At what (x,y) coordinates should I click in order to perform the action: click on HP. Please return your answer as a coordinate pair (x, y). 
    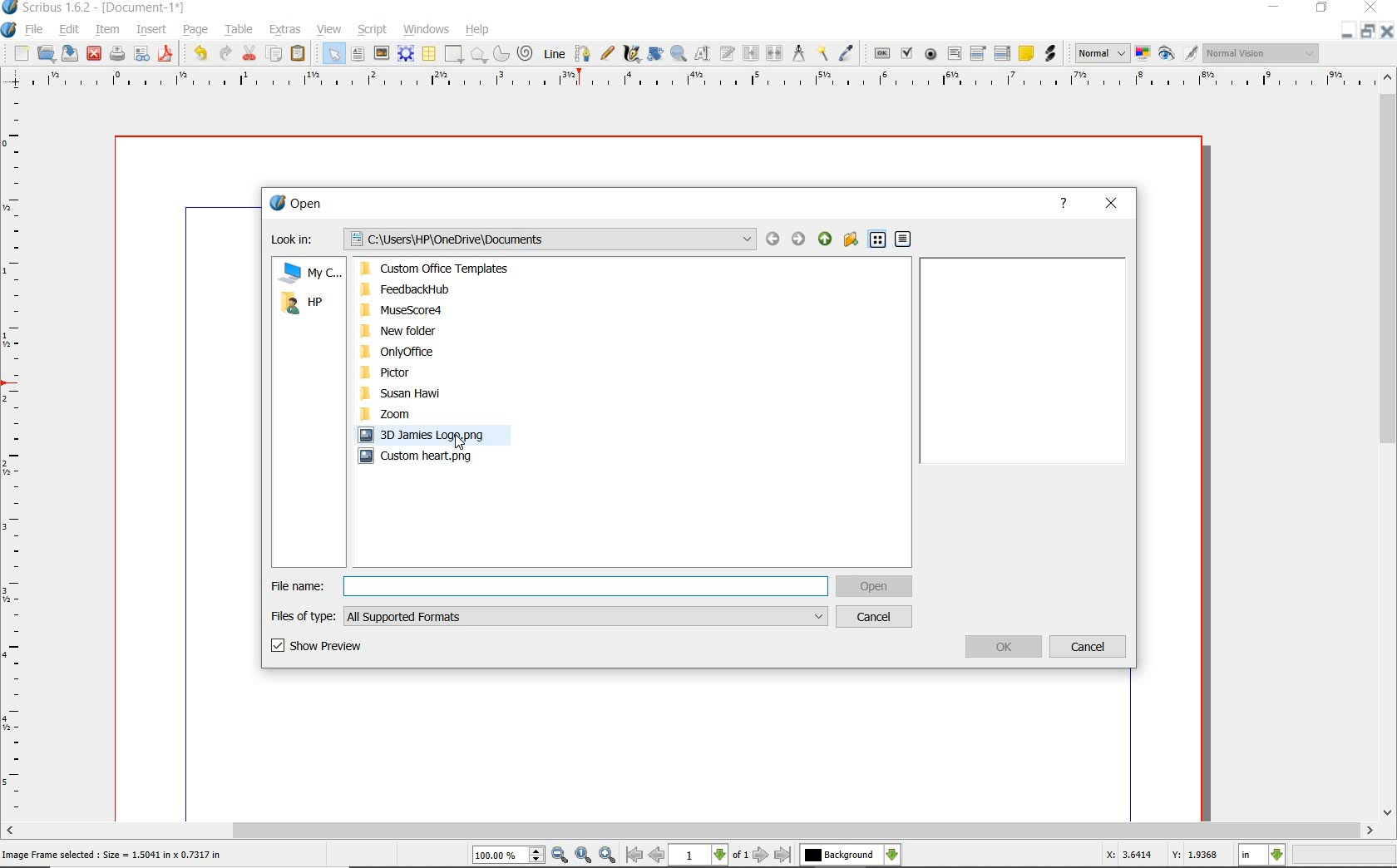
    Looking at the image, I should click on (309, 305).